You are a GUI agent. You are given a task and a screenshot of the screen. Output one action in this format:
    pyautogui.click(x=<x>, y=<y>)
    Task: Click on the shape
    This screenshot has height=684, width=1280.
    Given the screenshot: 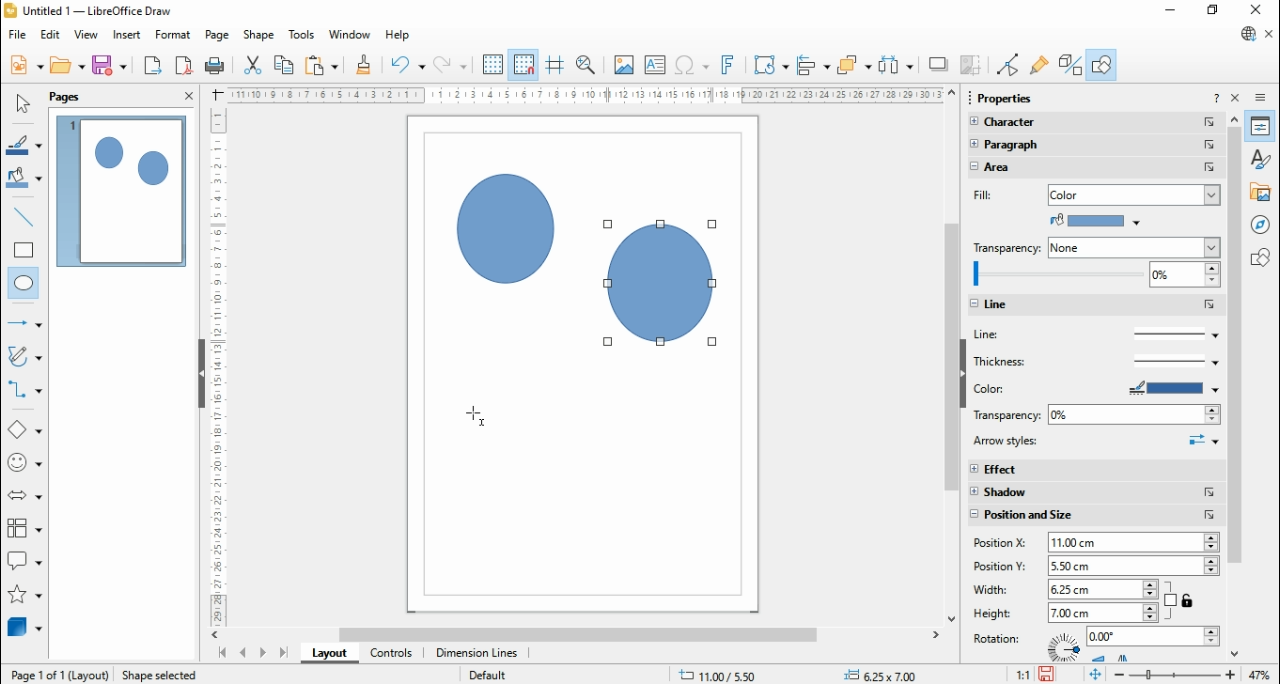 What is the action you would take?
    pyautogui.click(x=258, y=35)
    